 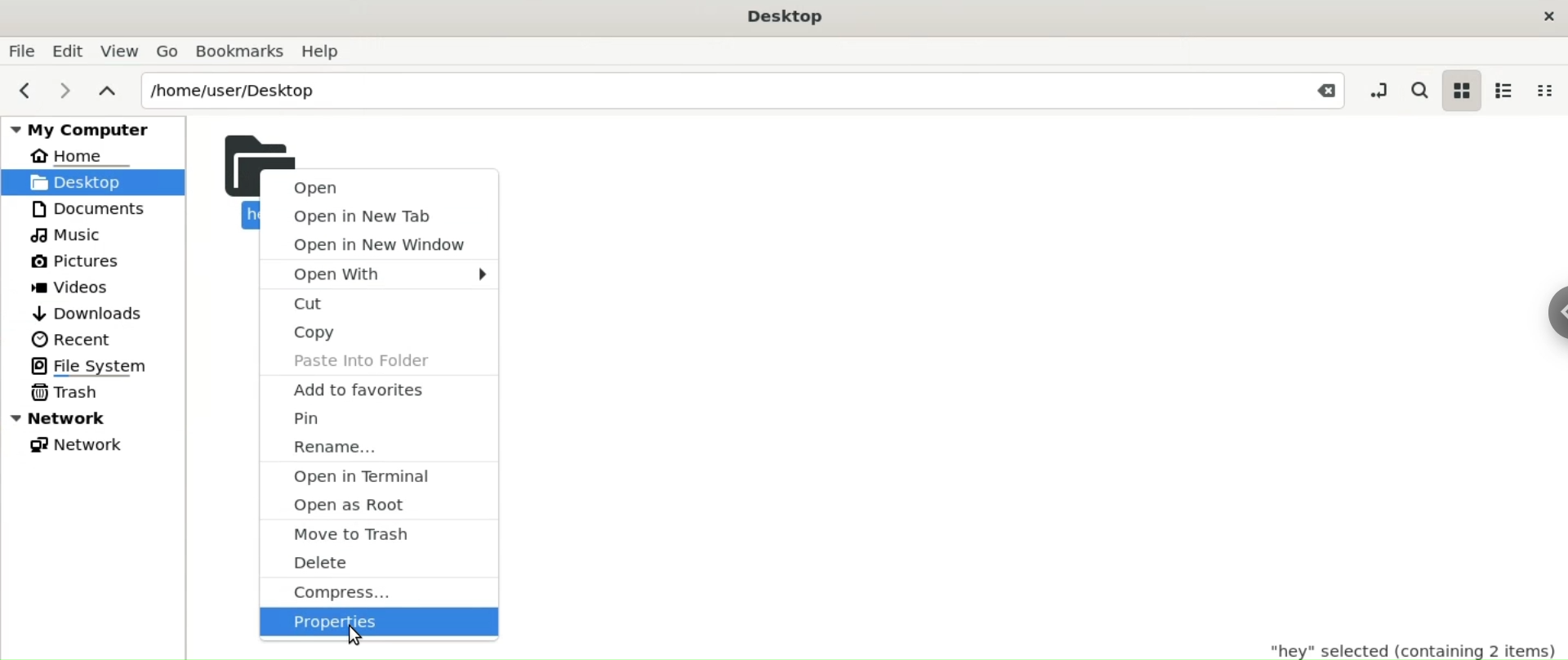 I want to click on Music, so click(x=70, y=234).